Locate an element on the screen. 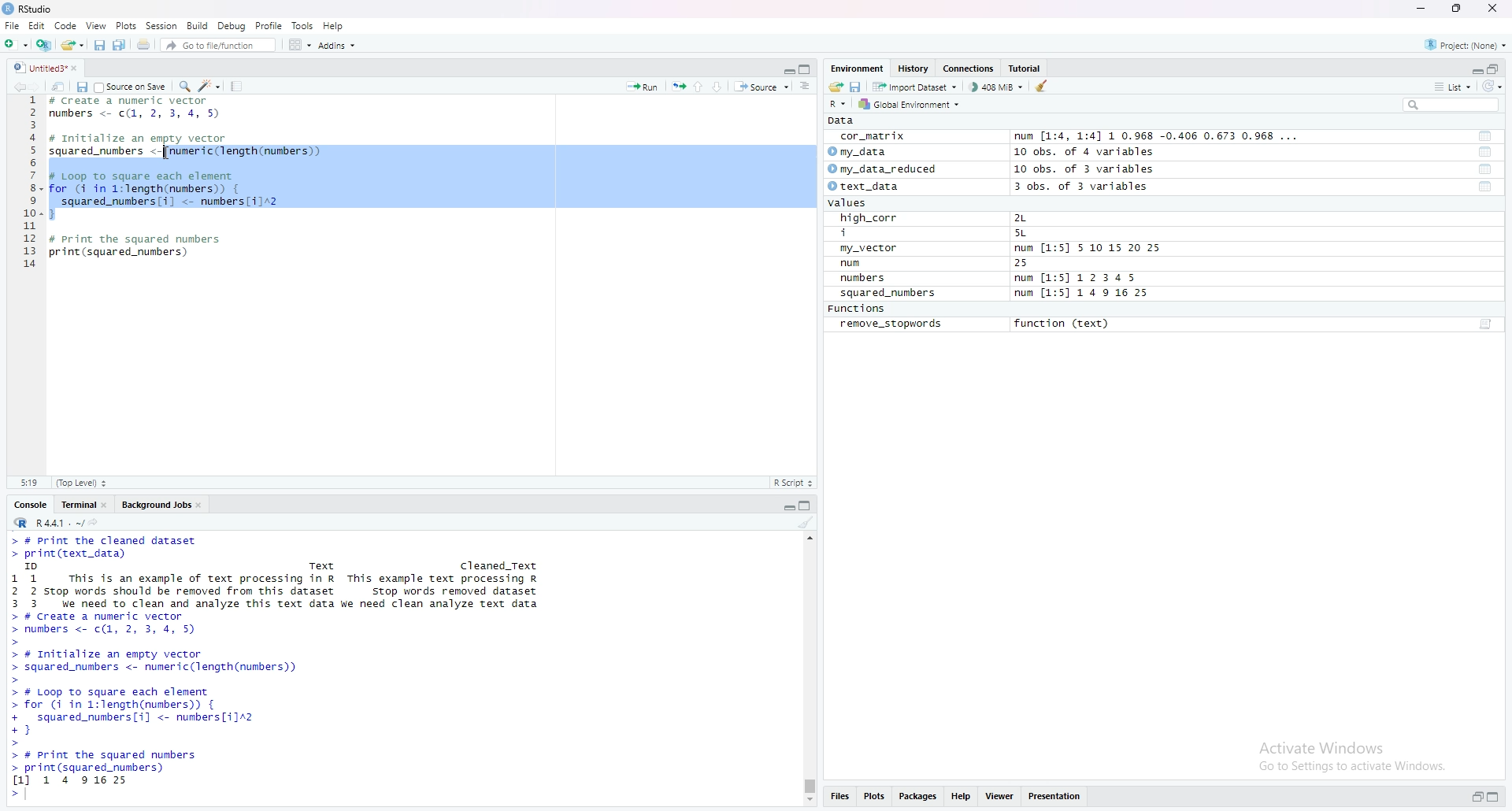 The height and width of the screenshot is (811, 1512). Tutorial is located at coordinates (1028, 69).